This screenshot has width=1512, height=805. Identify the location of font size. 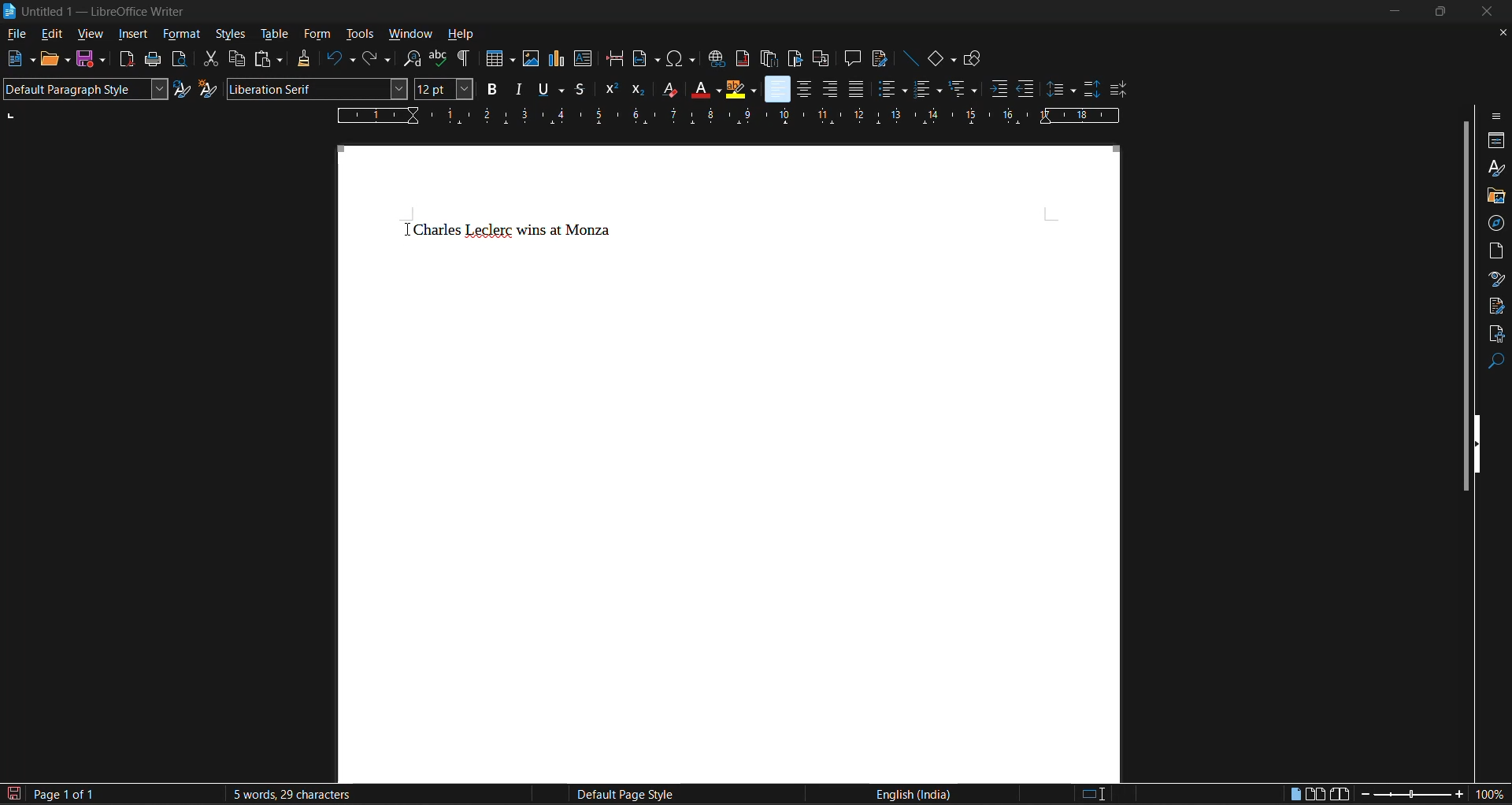
(439, 90).